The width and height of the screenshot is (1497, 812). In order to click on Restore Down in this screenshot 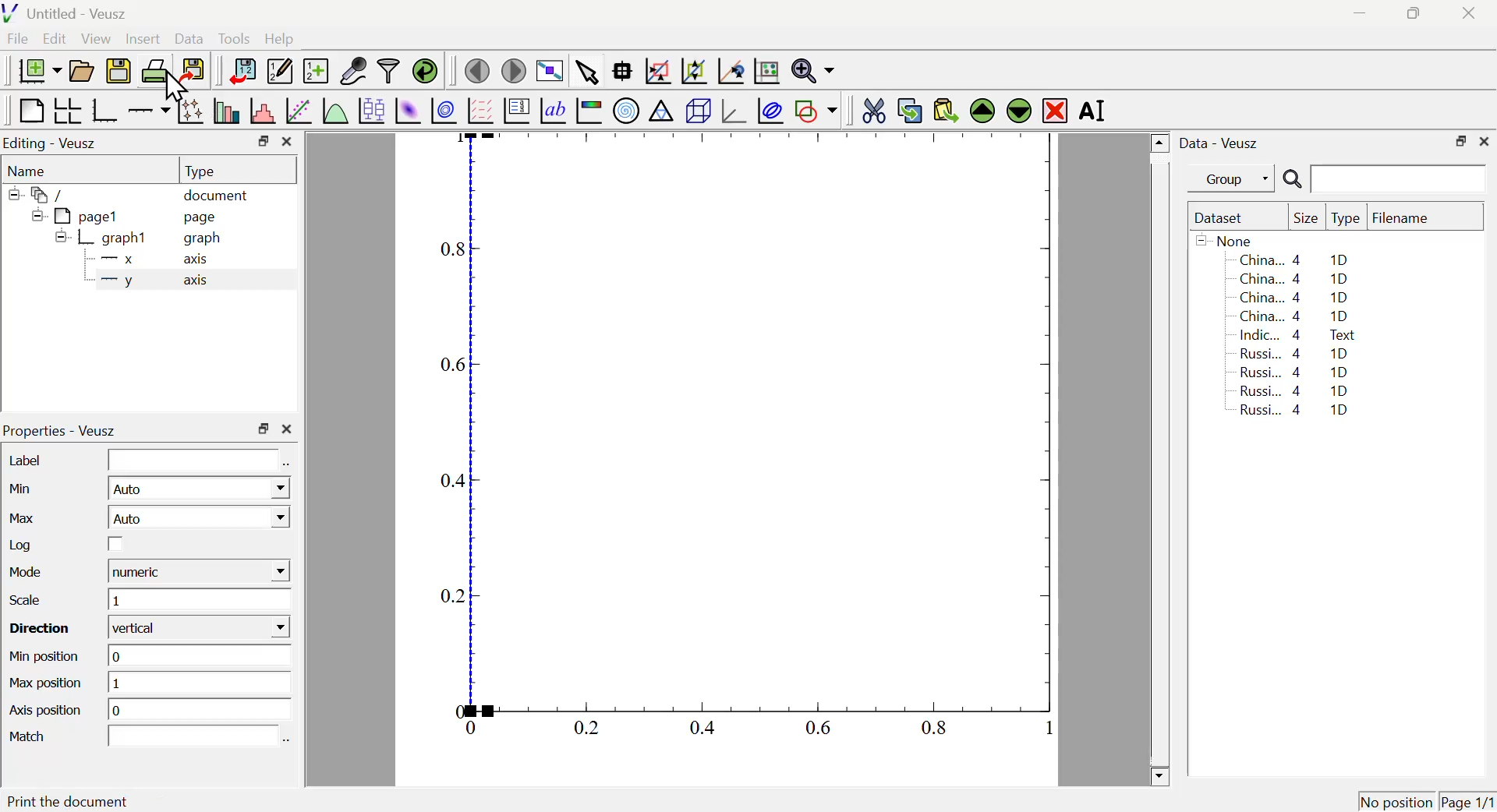, I will do `click(1460, 142)`.